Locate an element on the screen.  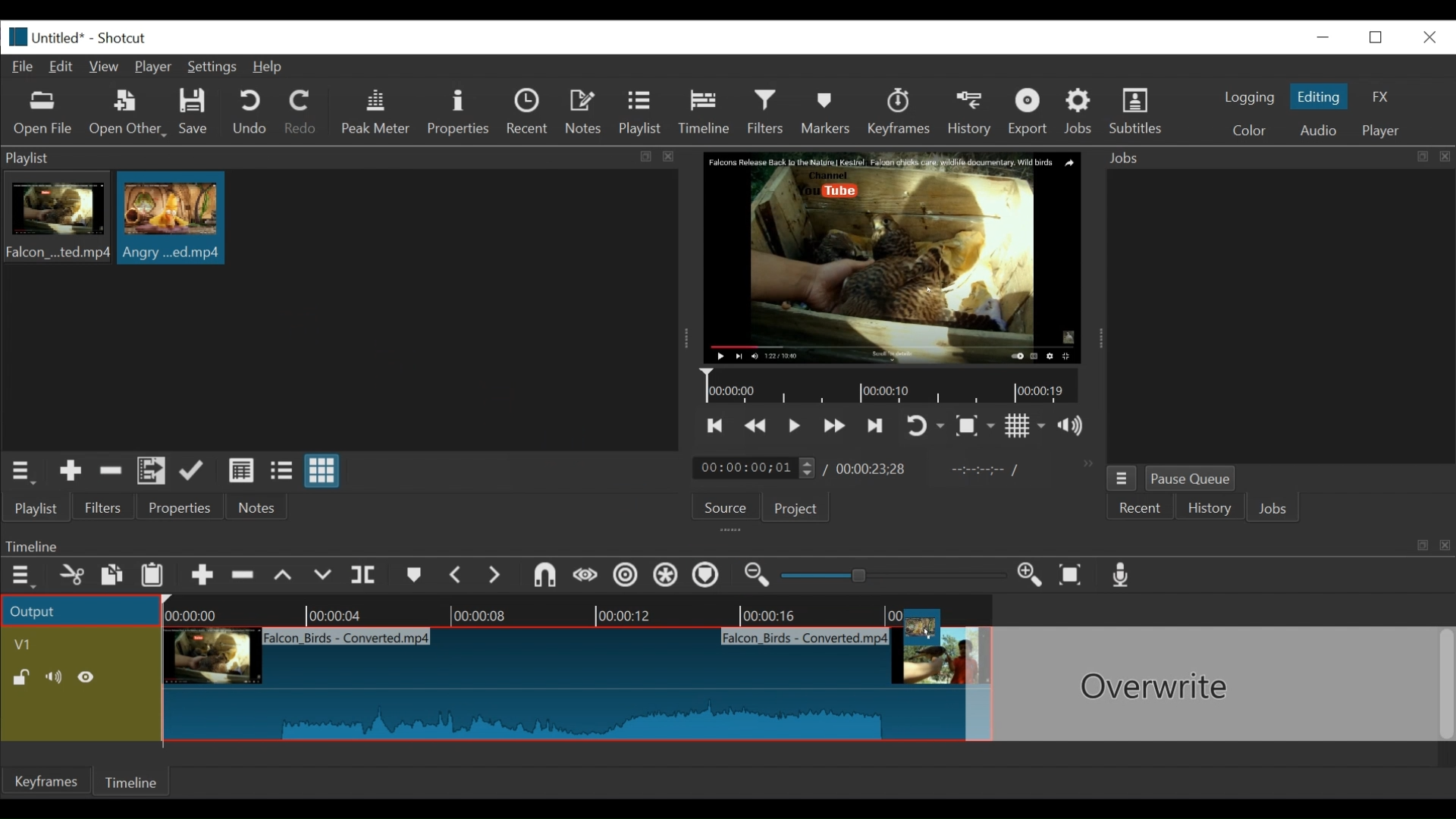
Markers is located at coordinates (829, 111).